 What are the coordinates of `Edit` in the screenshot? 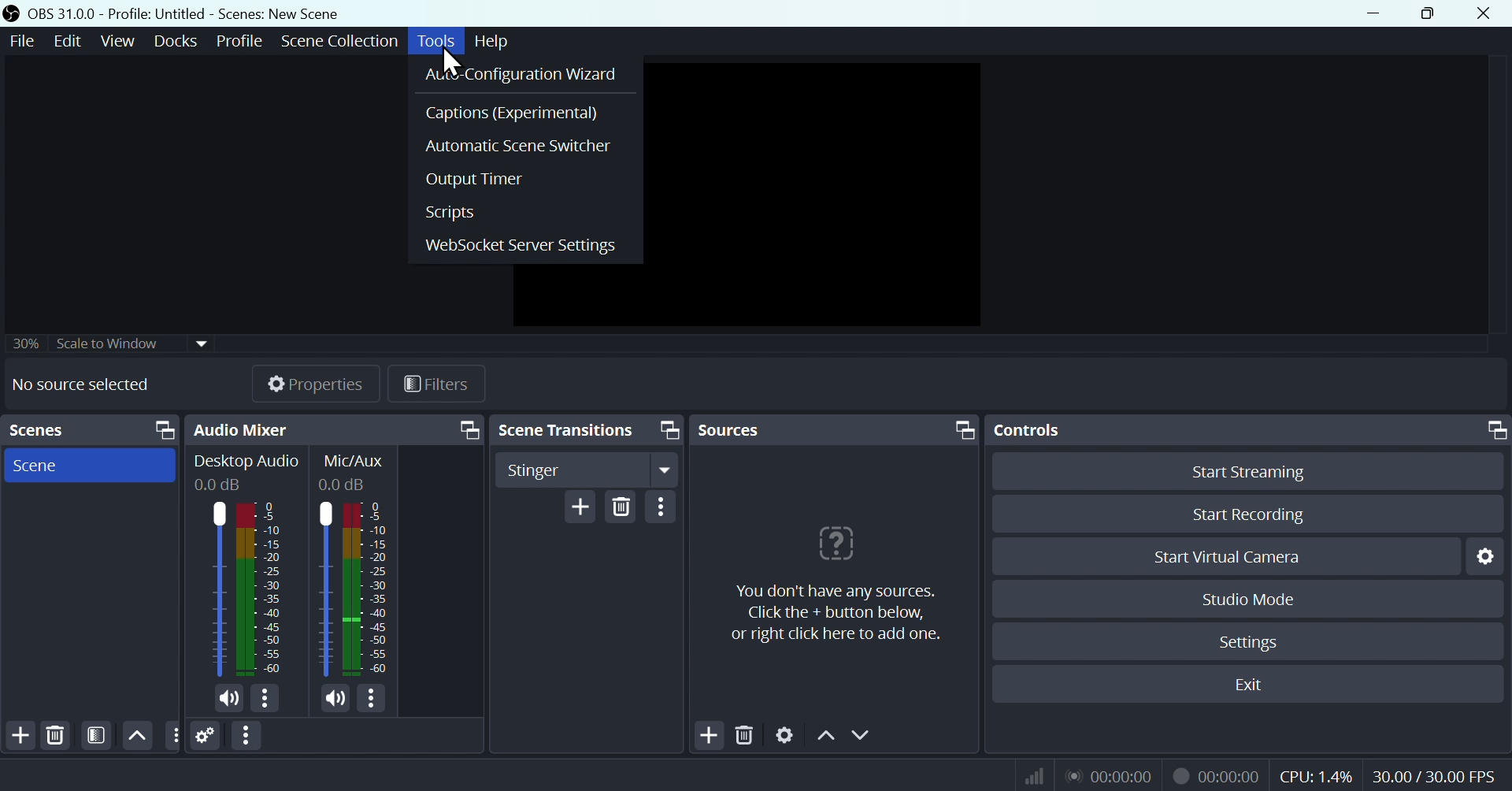 It's located at (69, 42).